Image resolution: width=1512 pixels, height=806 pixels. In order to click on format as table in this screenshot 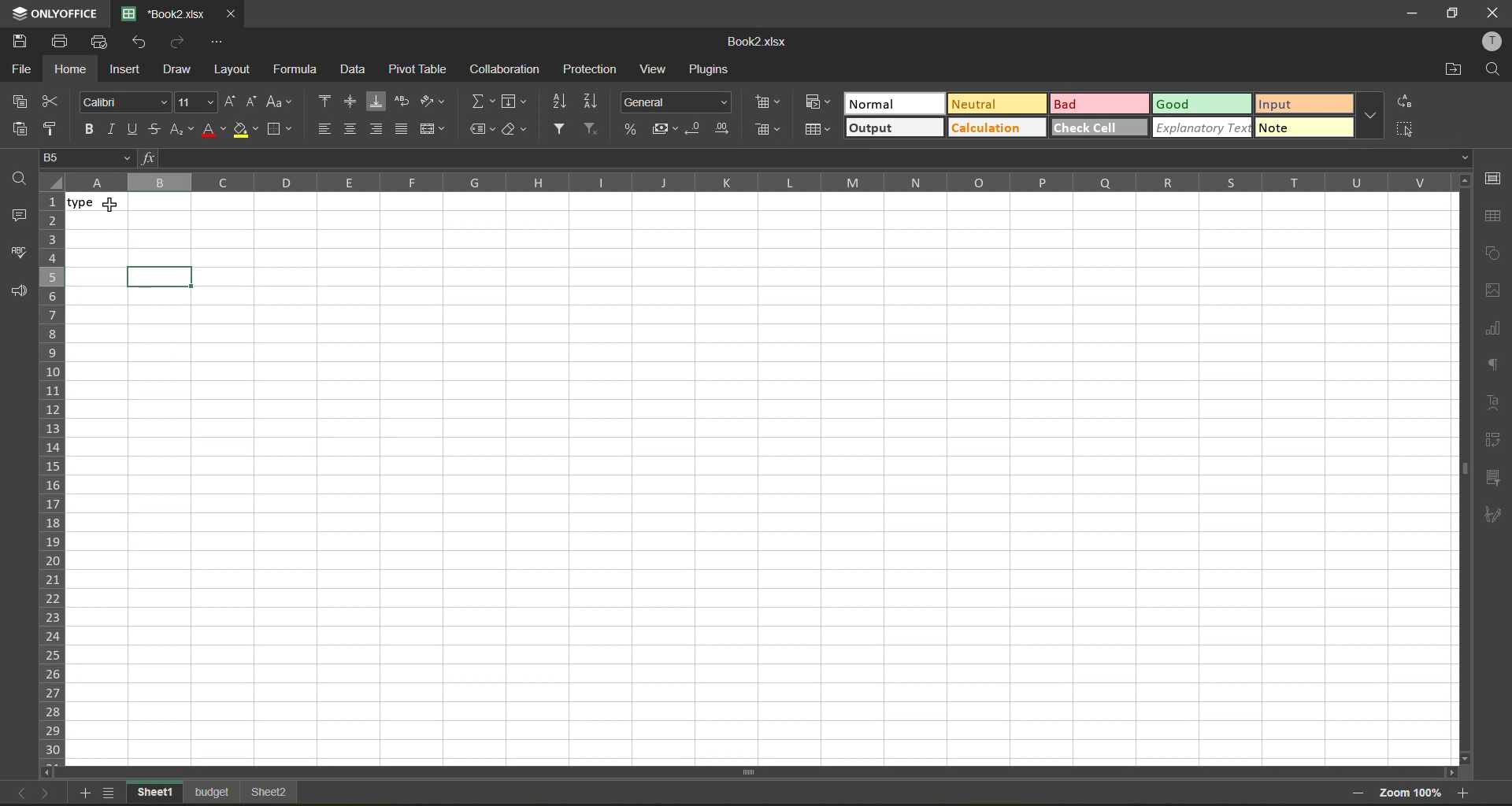, I will do `click(817, 132)`.